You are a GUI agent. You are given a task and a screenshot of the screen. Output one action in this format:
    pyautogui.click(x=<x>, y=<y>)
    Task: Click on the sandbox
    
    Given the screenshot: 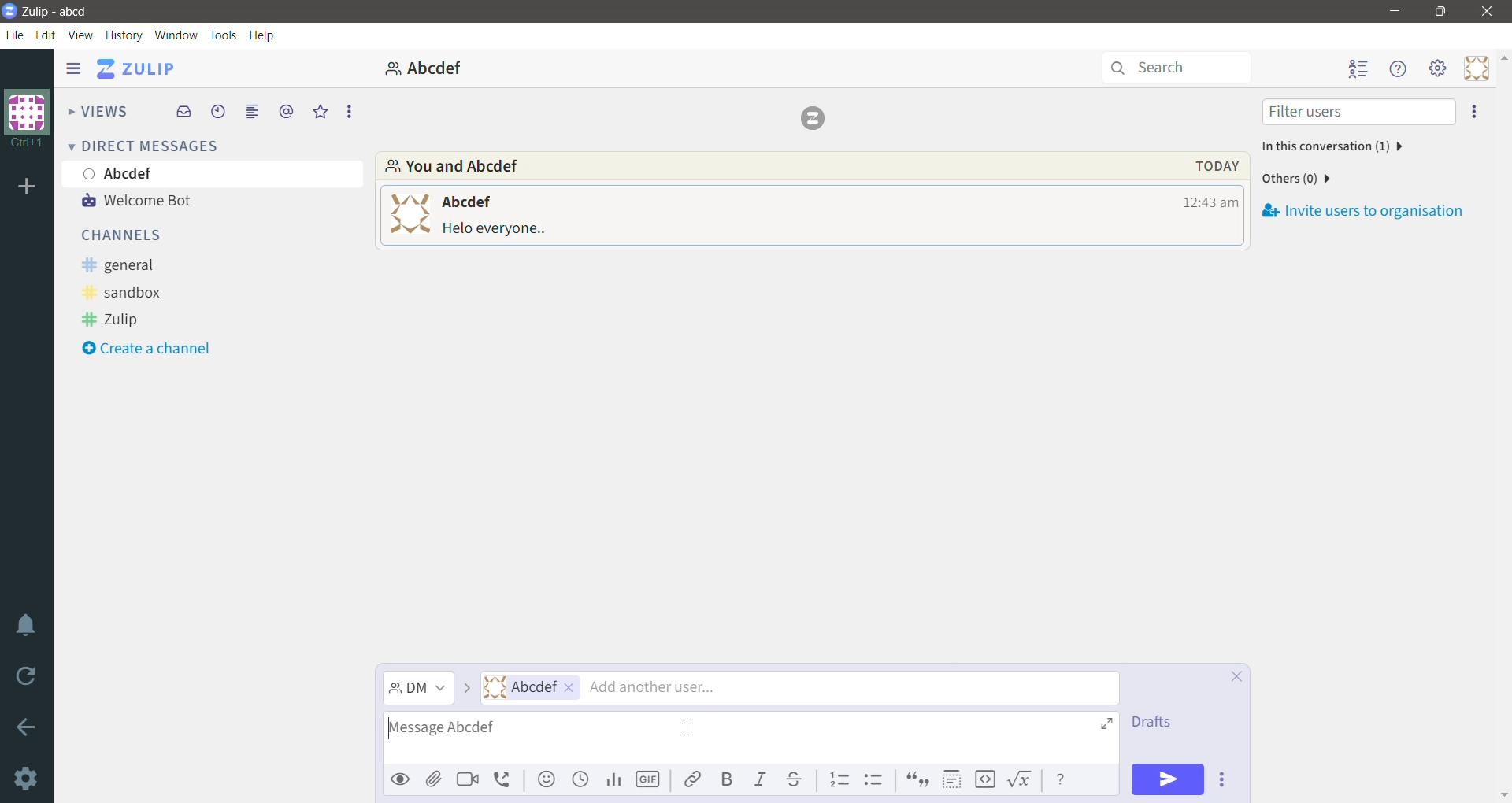 What is the action you would take?
    pyautogui.click(x=132, y=292)
    